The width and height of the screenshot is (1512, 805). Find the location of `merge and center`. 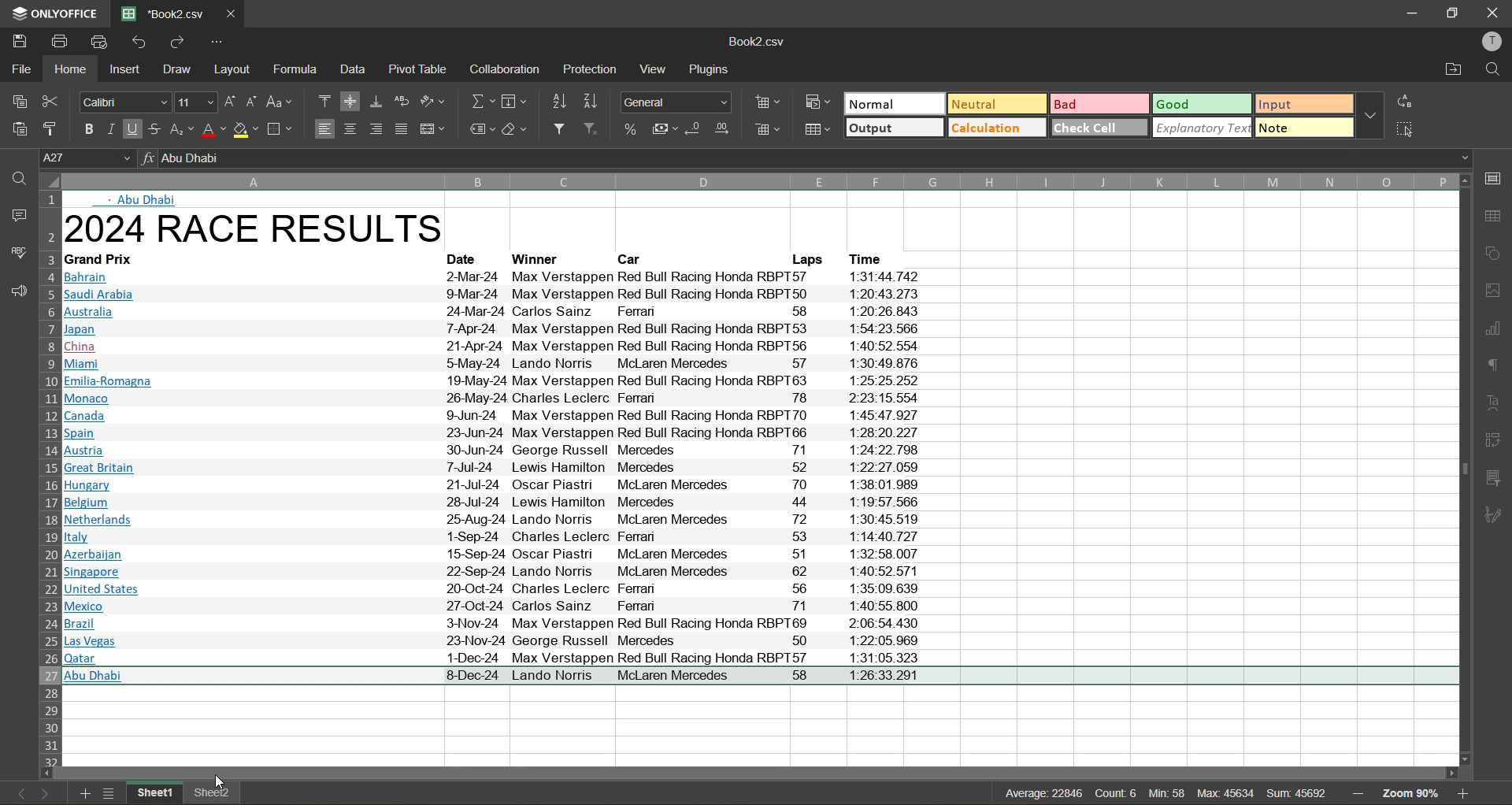

merge and center is located at coordinates (435, 129).